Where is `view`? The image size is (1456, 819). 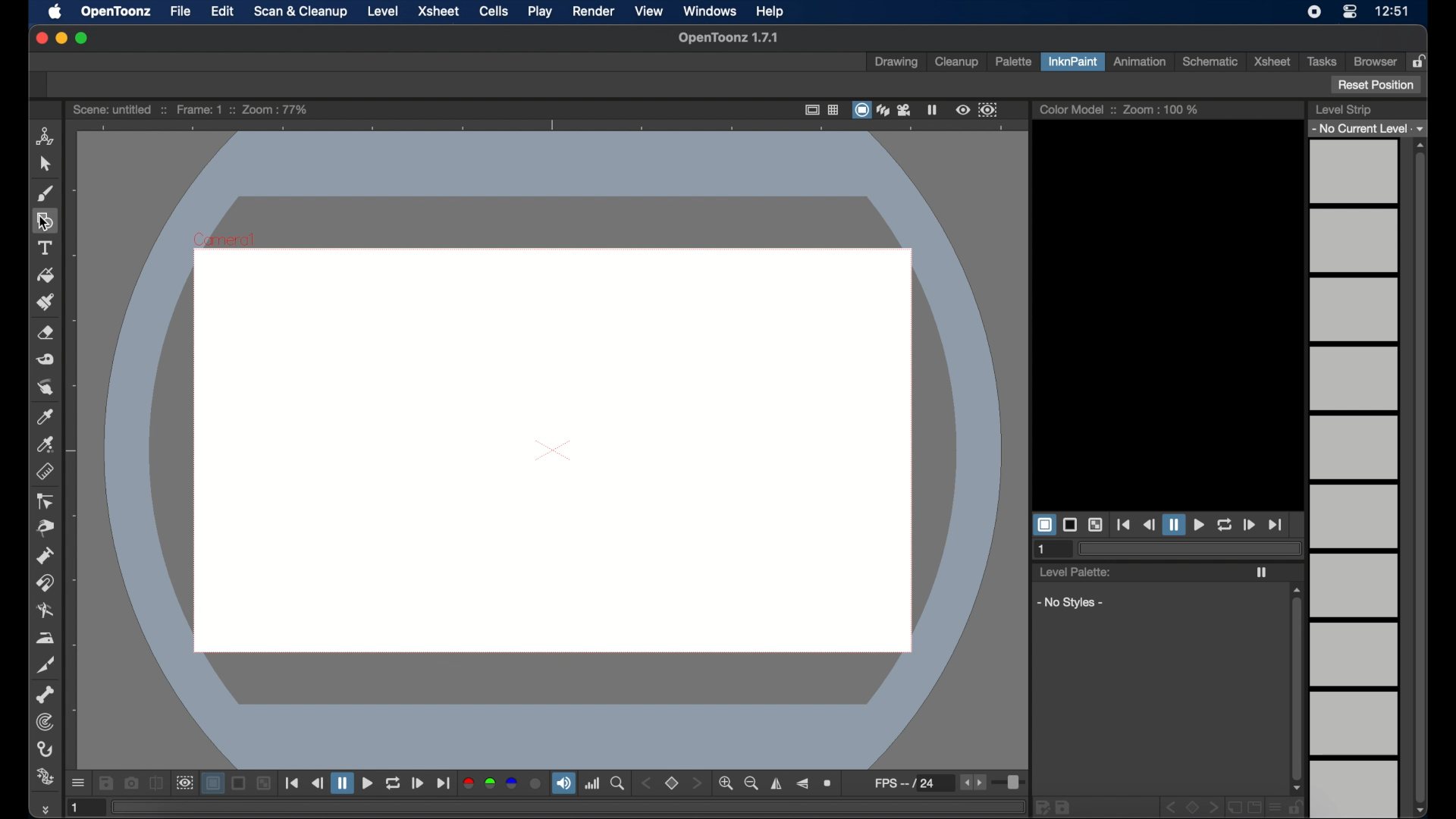
view is located at coordinates (650, 11).